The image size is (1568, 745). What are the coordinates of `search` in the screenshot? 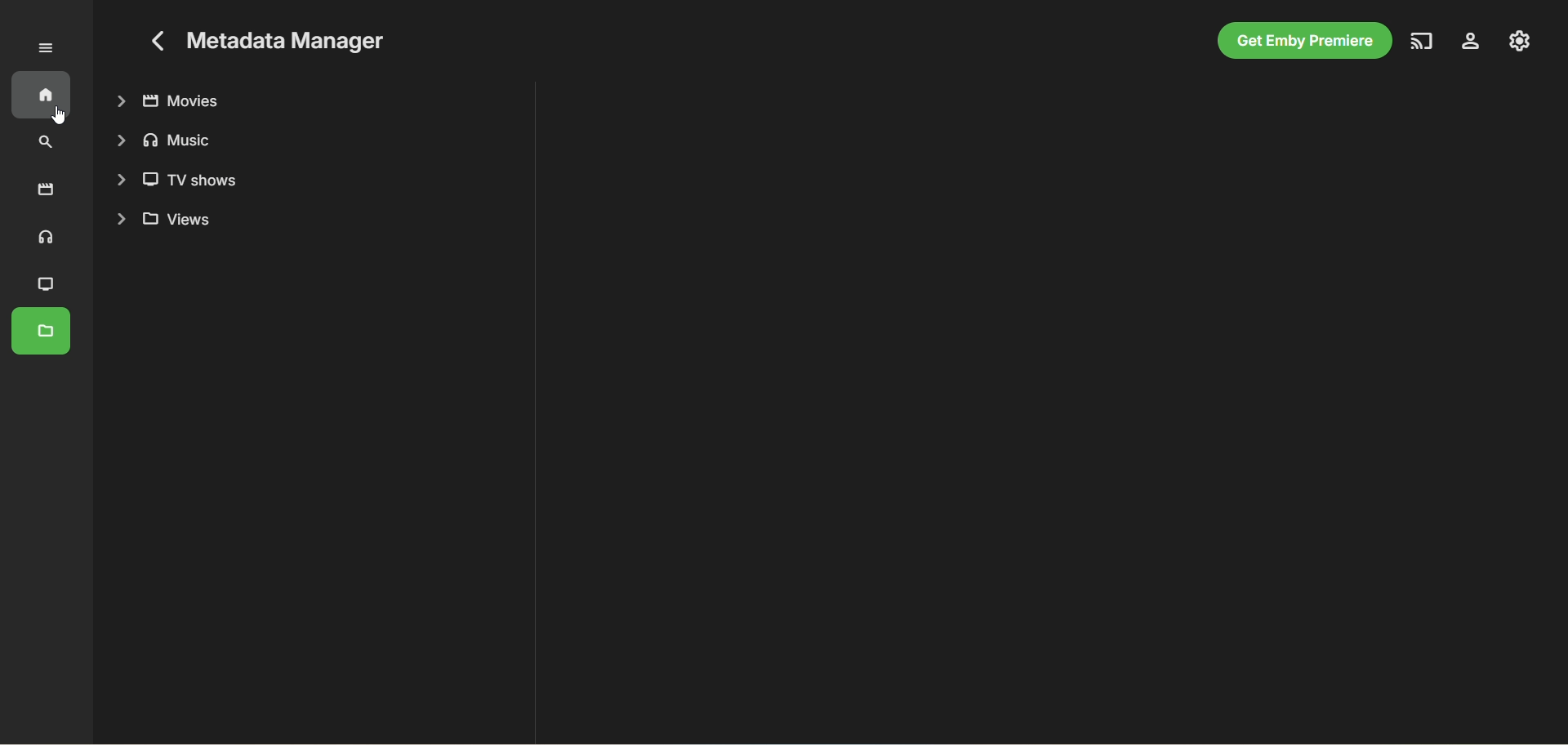 It's located at (42, 141).